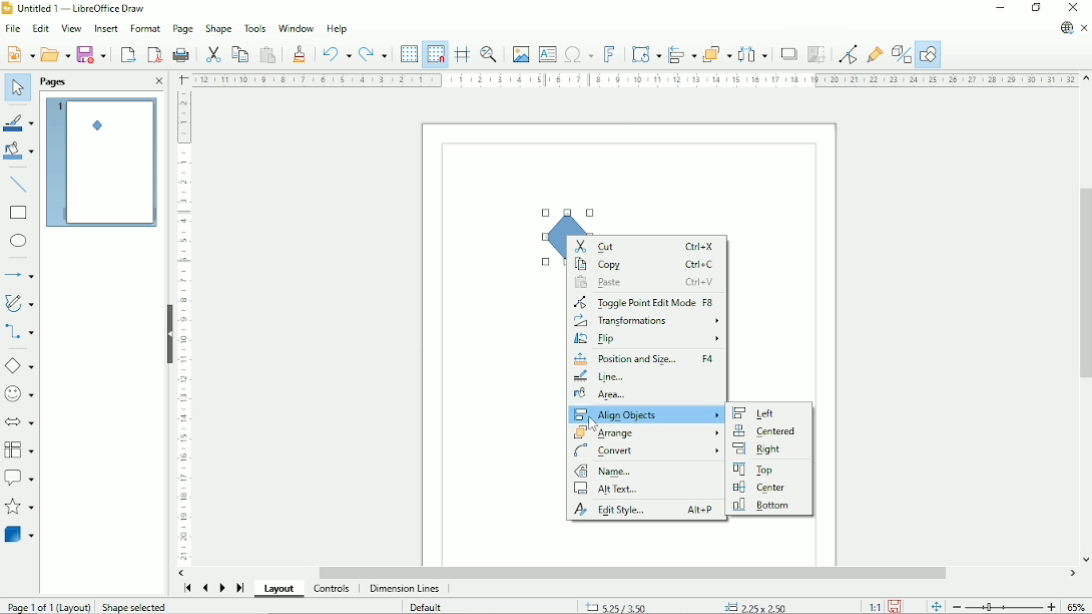 The image size is (1092, 614). I want to click on Cut, so click(213, 53).